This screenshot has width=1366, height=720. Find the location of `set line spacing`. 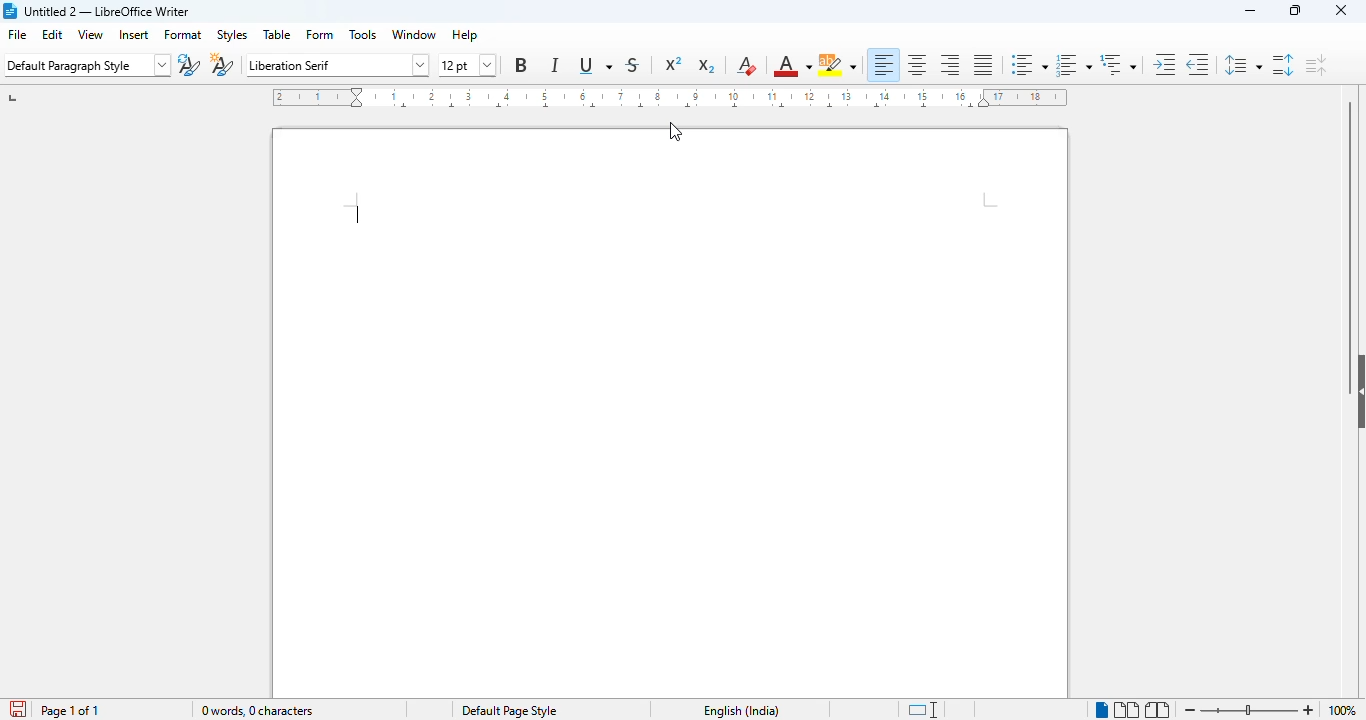

set line spacing is located at coordinates (1242, 65).